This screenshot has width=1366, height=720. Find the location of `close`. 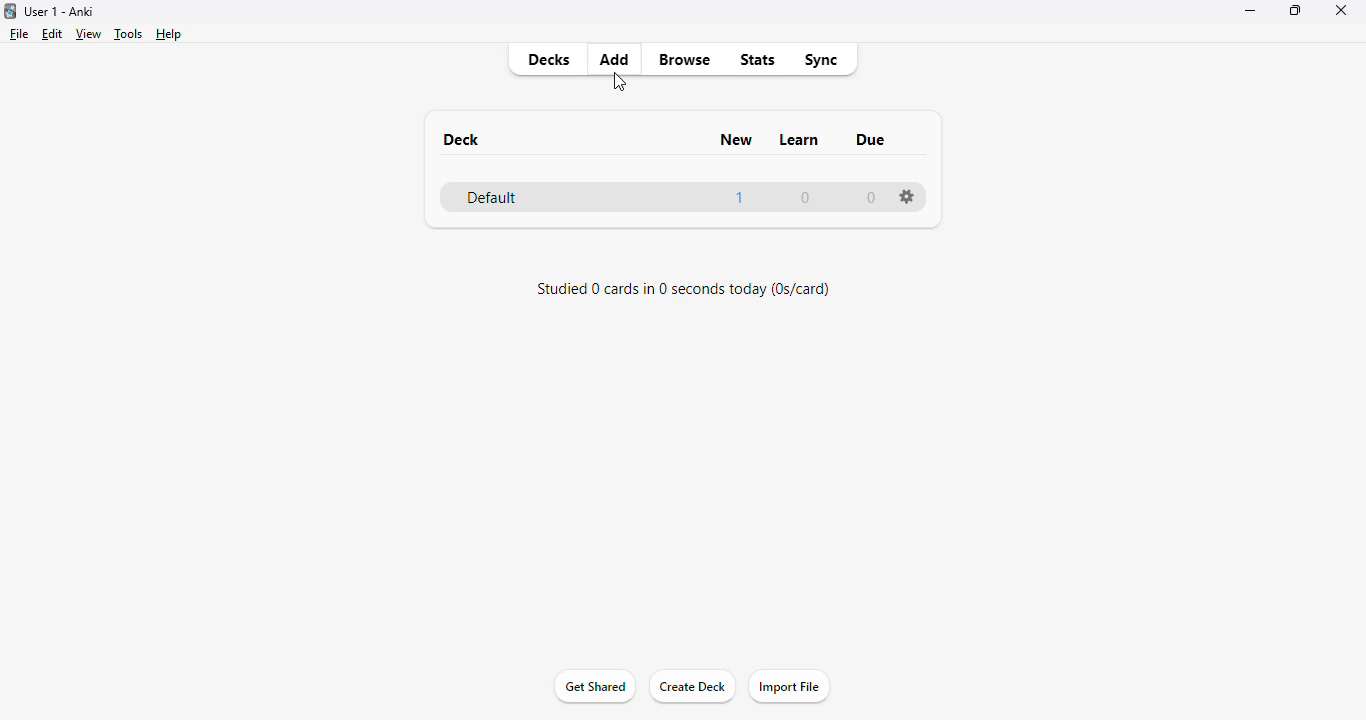

close is located at coordinates (1341, 10).